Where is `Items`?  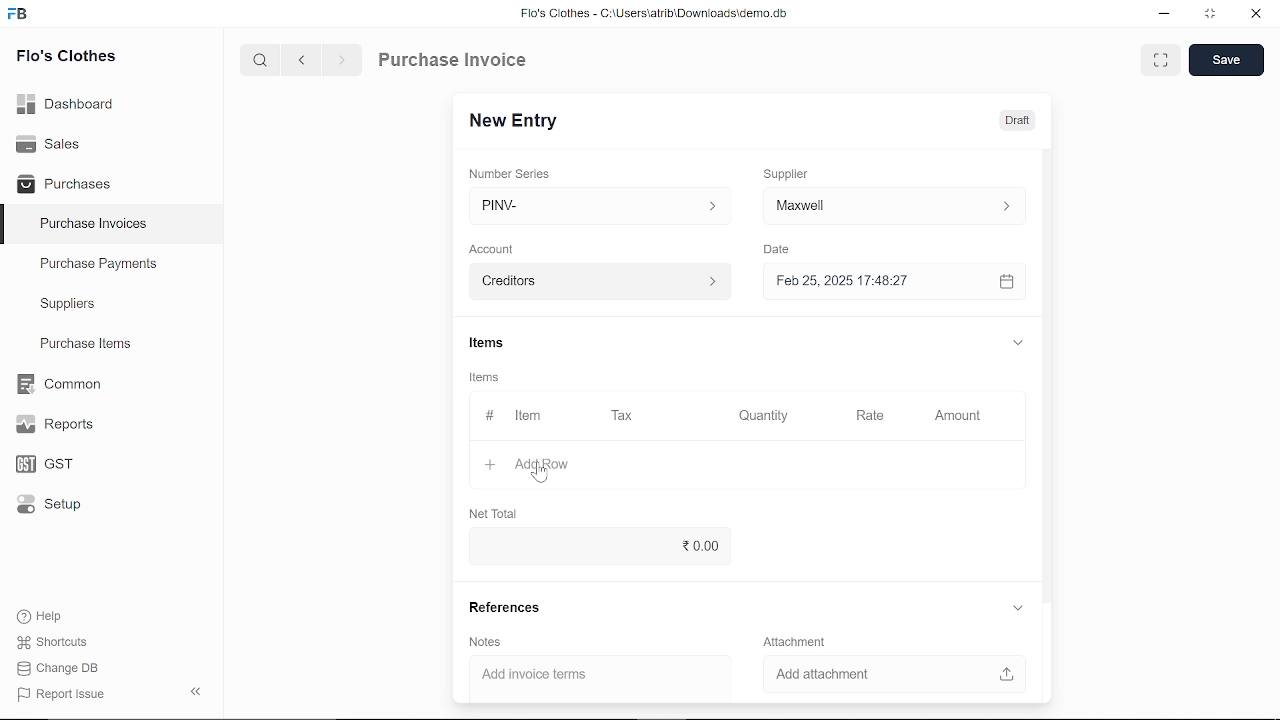
Items is located at coordinates (502, 343).